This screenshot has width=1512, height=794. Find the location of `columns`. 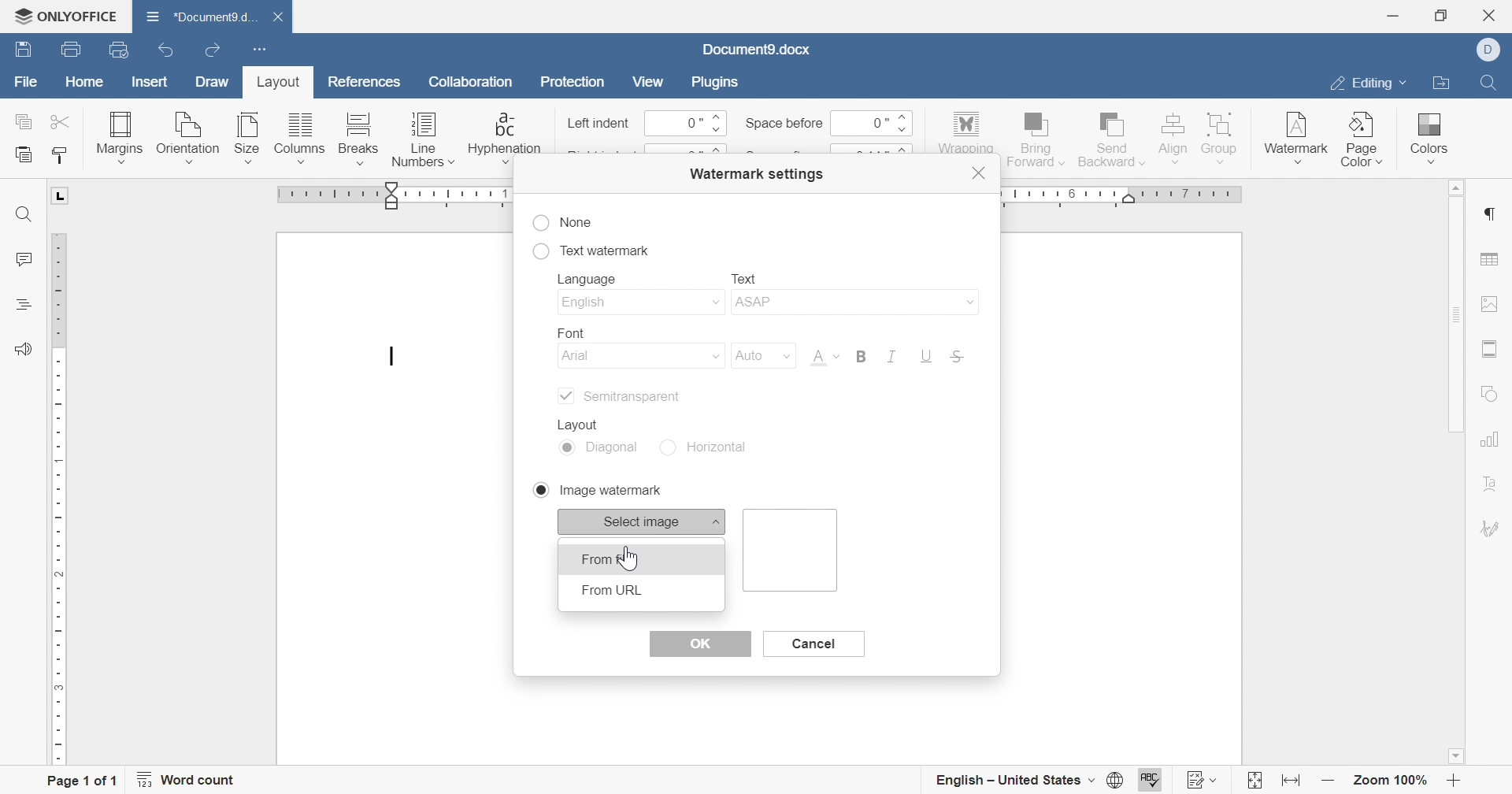

columns is located at coordinates (300, 139).